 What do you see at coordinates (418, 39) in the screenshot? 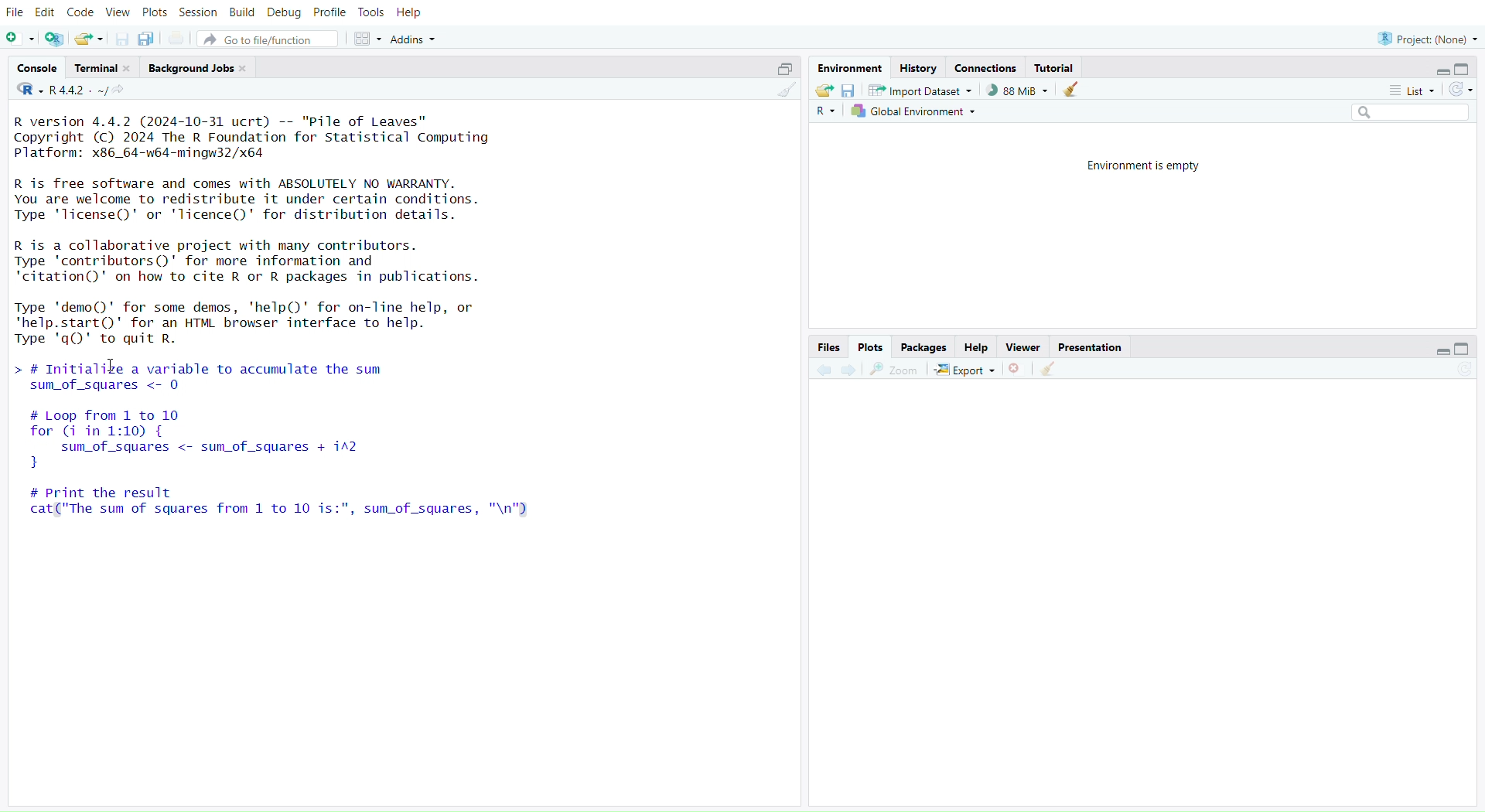
I see `addins` at bounding box center [418, 39].